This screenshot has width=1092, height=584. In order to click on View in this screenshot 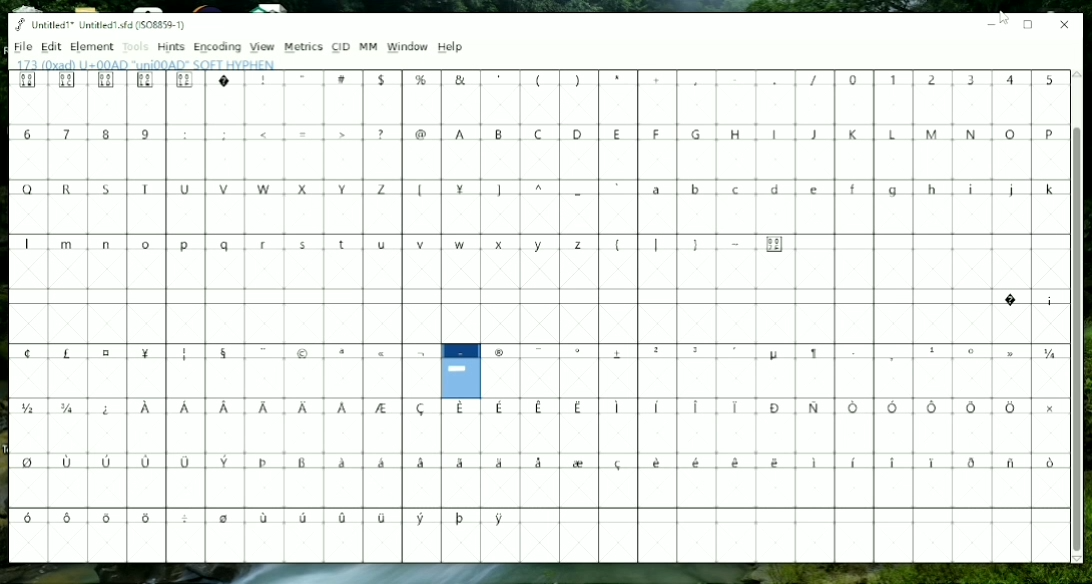, I will do `click(262, 48)`.